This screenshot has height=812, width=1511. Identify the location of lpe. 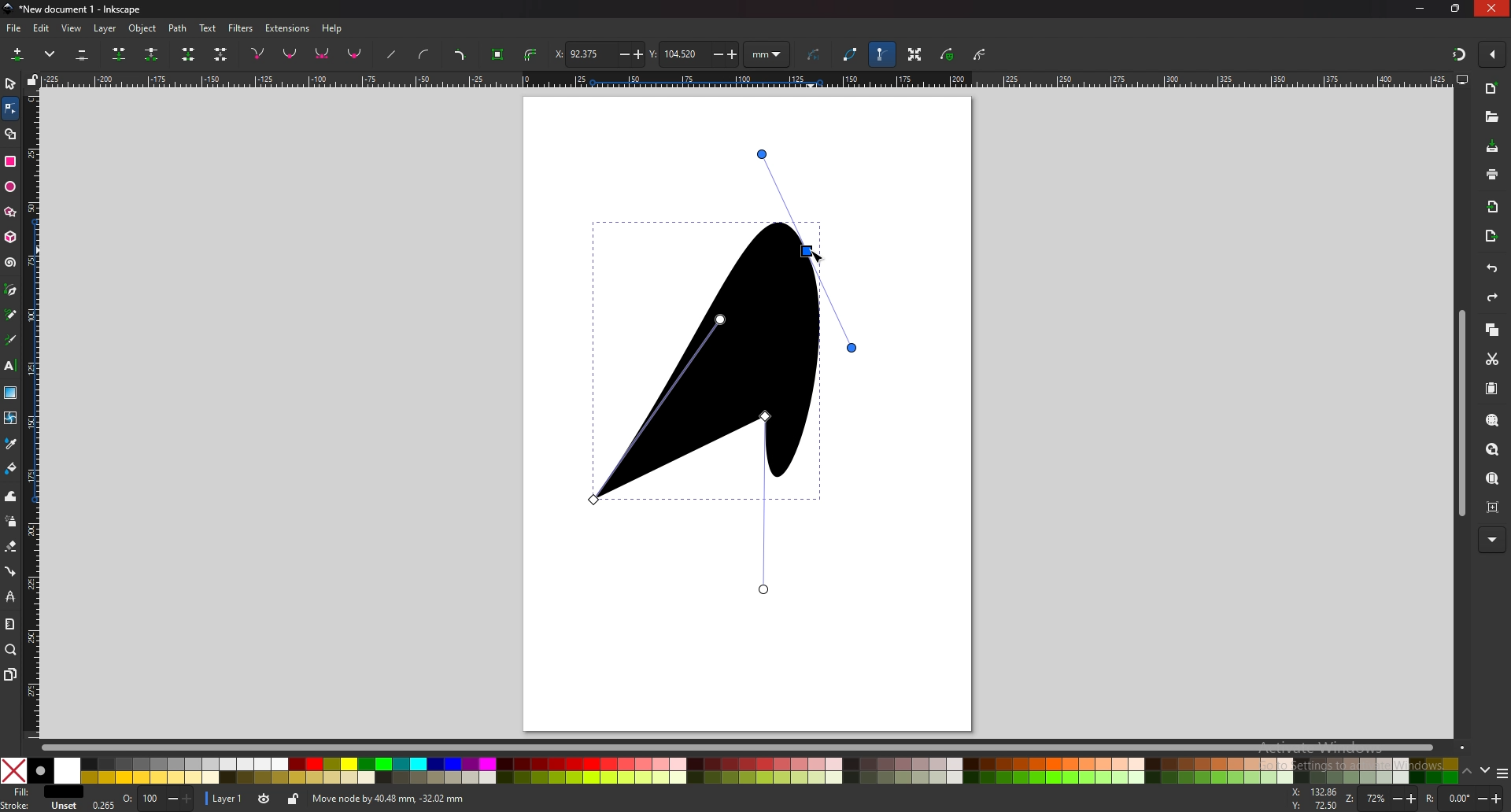
(10, 596).